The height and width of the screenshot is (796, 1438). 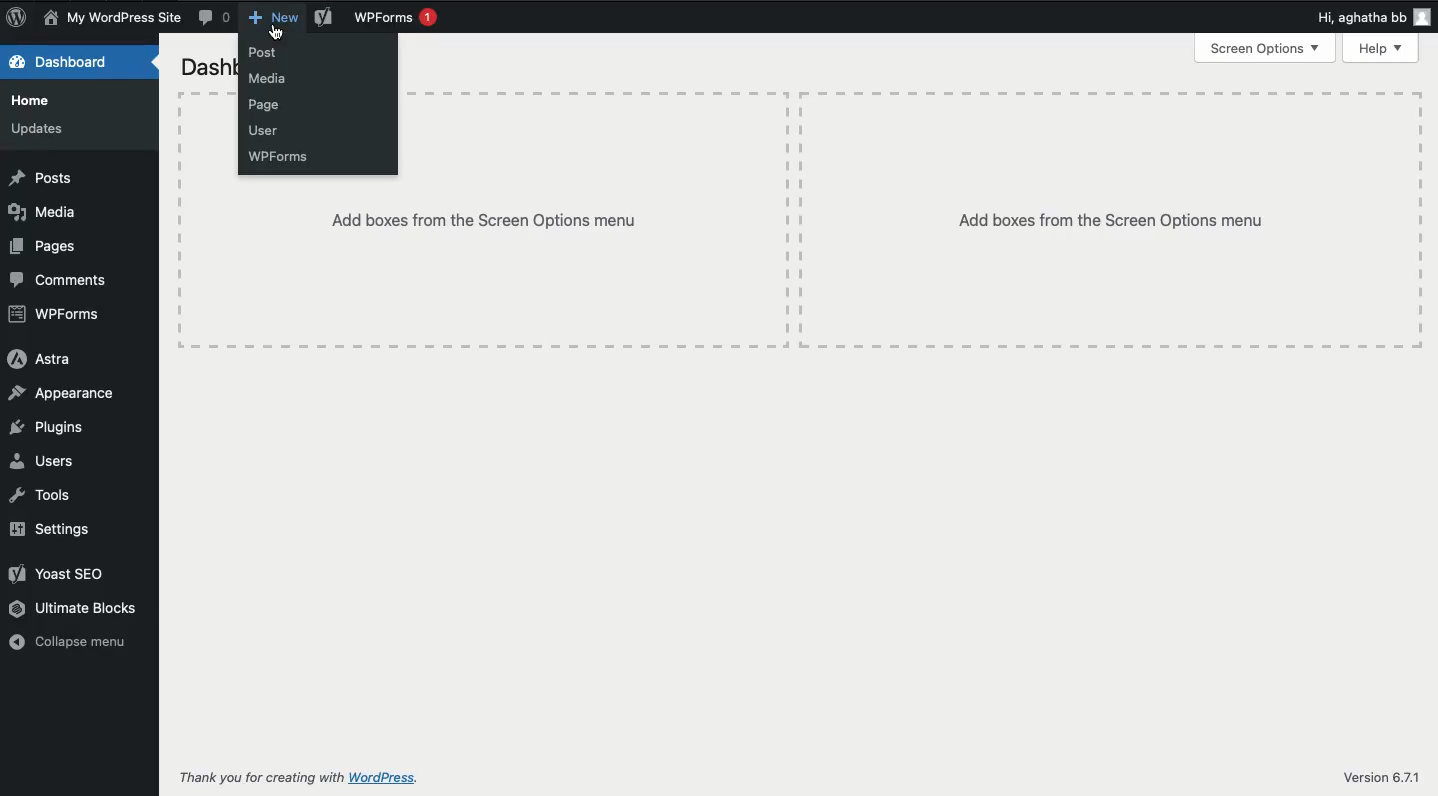 What do you see at coordinates (1380, 777) in the screenshot?
I see `Version 6.7.1` at bounding box center [1380, 777].